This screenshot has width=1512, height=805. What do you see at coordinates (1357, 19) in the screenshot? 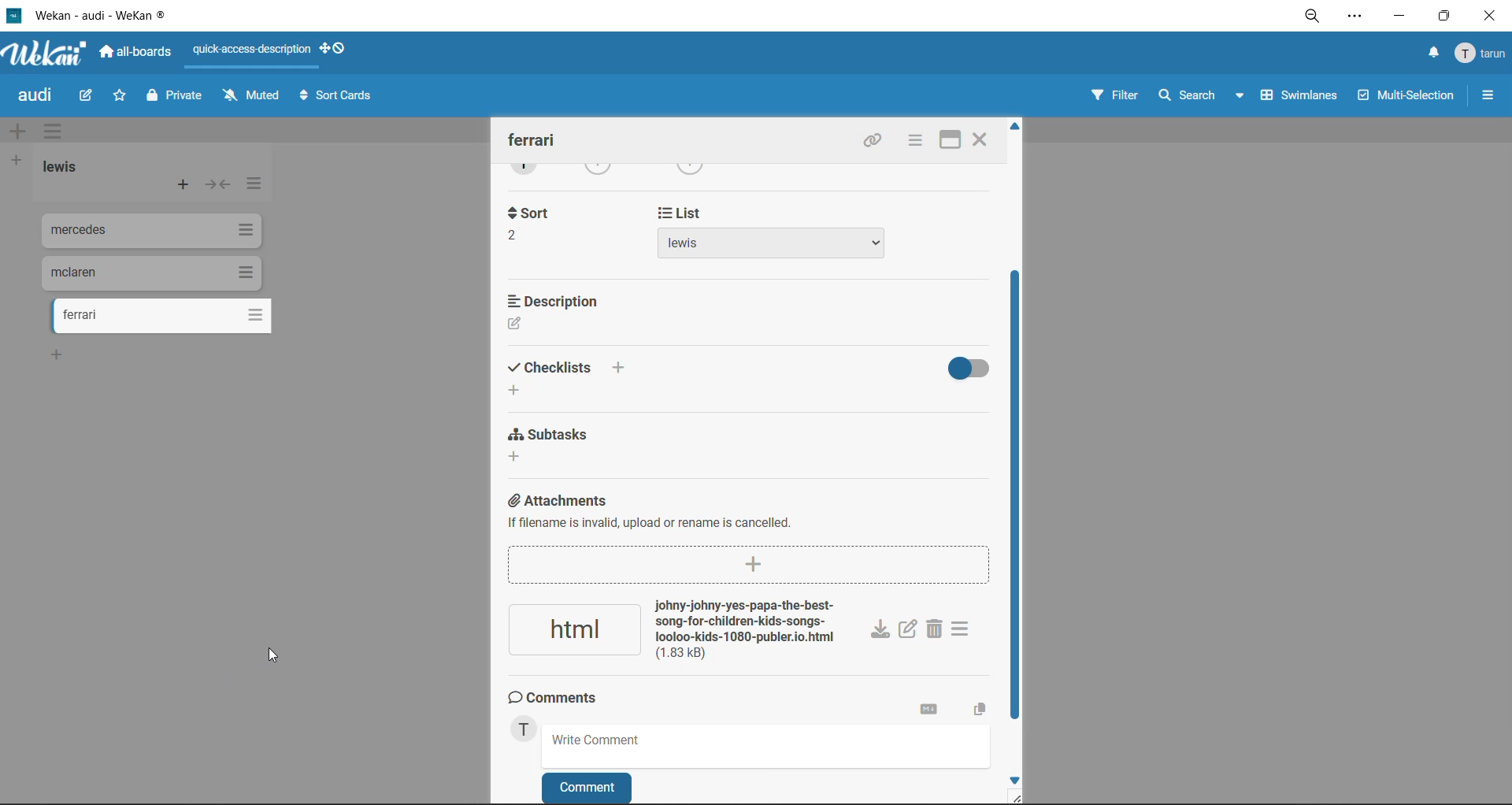
I see `settings` at bounding box center [1357, 19].